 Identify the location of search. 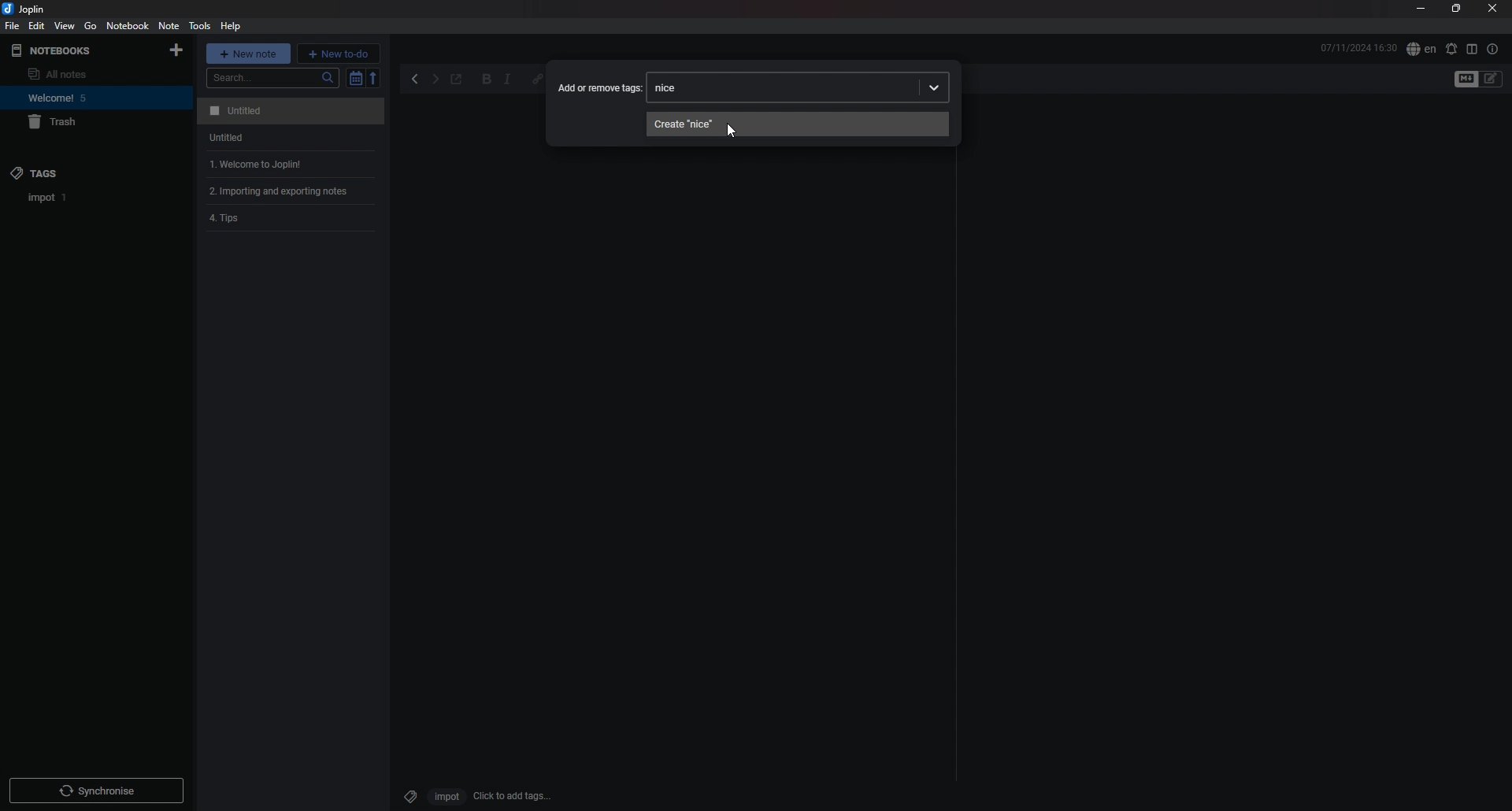
(273, 78).